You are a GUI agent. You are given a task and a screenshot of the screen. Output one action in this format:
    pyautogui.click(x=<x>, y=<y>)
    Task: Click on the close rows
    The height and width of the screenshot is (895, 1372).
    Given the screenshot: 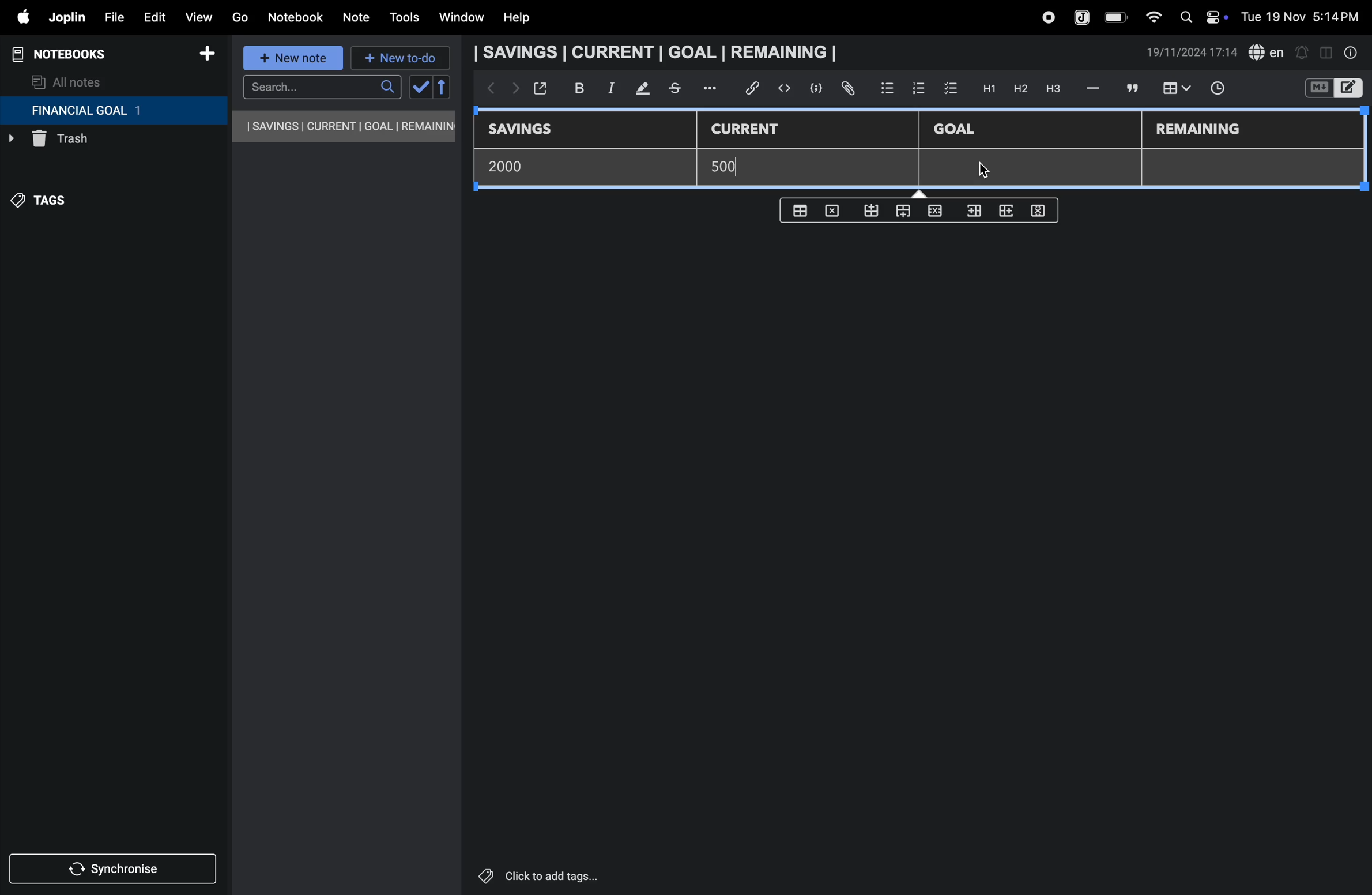 What is the action you would take?
    pyautogui.click(x=933, y=213)
    